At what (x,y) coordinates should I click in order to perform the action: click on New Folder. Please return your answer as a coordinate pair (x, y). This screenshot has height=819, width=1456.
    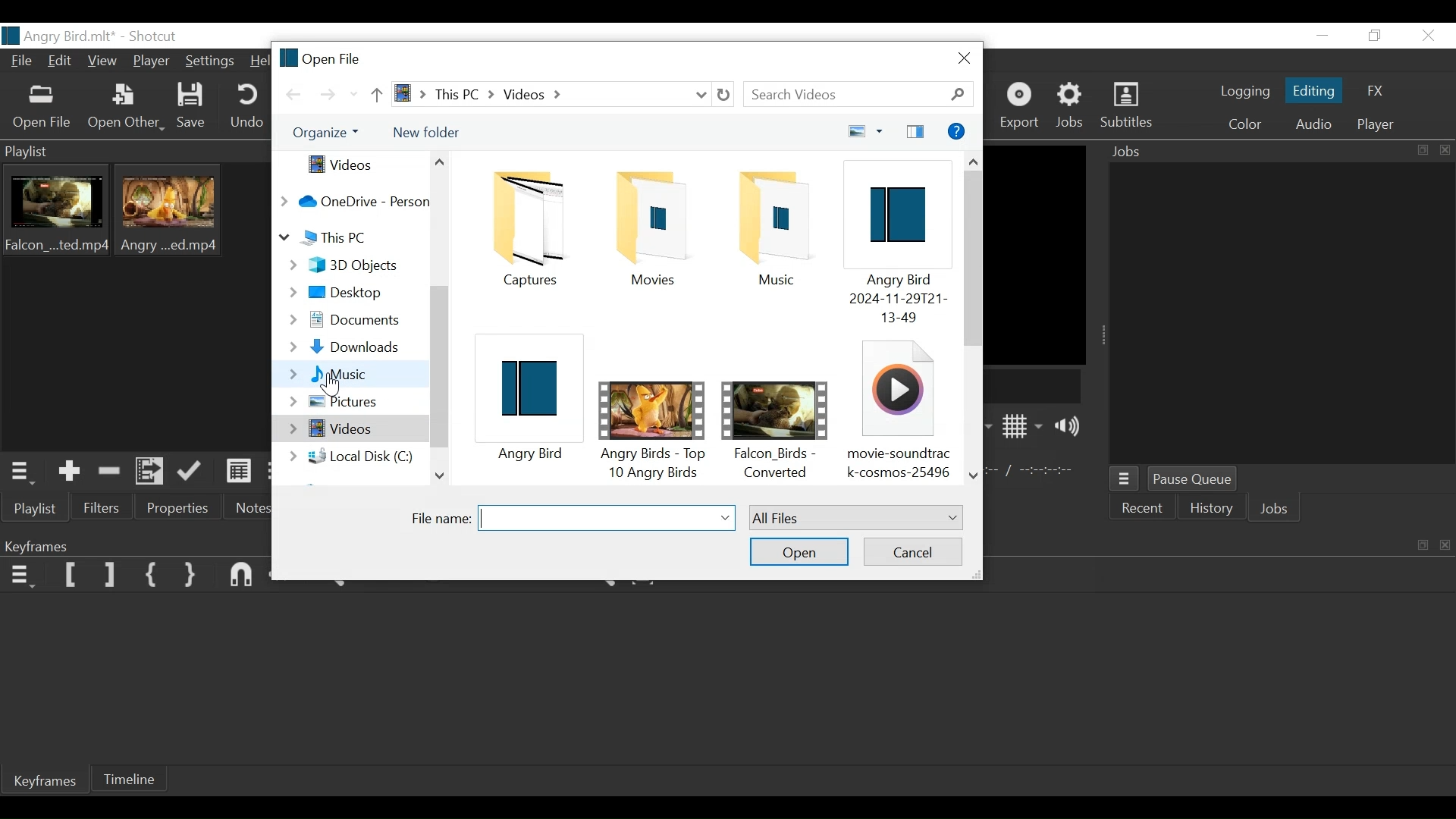
    Looking at the image, I should click on (435, 133).